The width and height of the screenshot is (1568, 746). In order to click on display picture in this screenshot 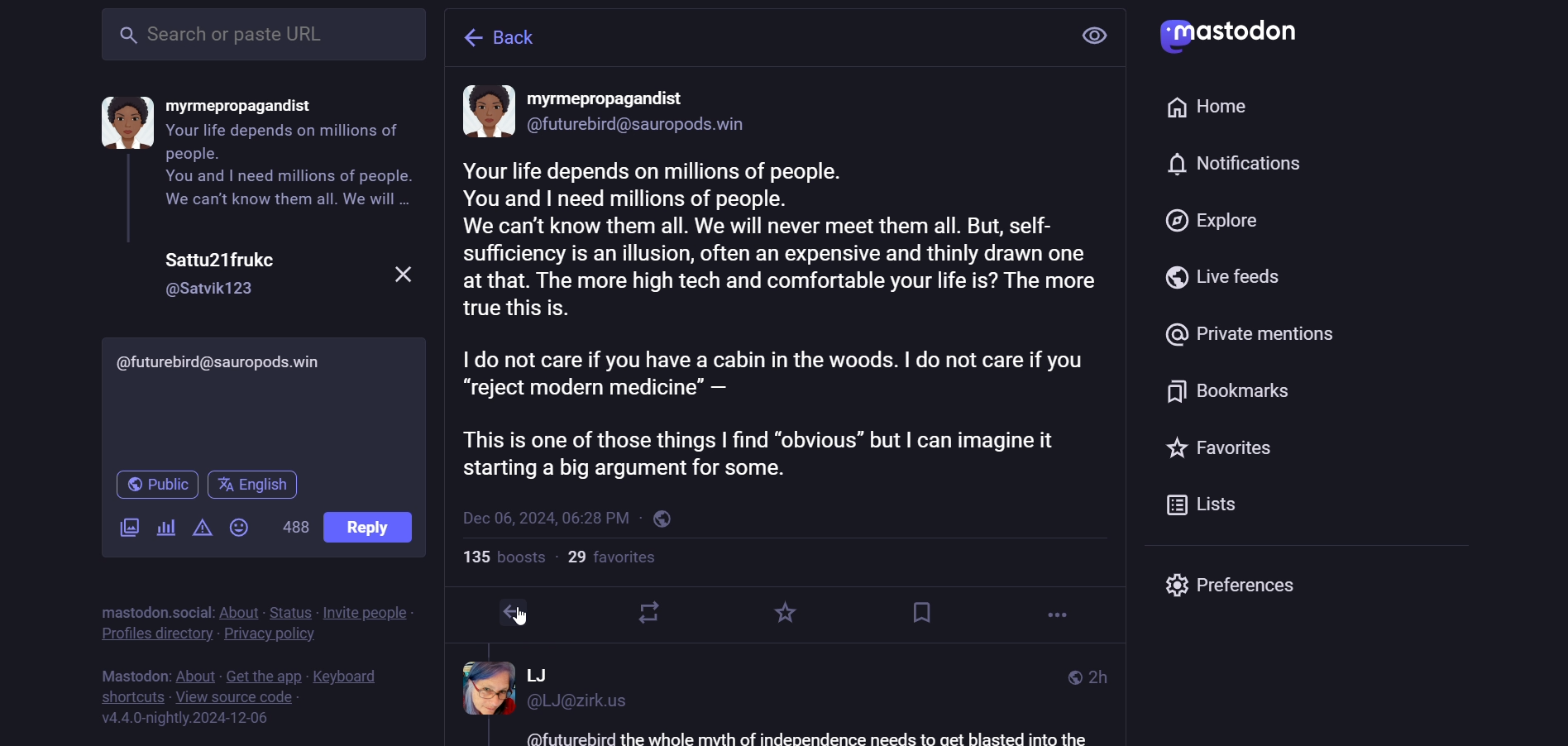, I will do `click(485, 112)`.